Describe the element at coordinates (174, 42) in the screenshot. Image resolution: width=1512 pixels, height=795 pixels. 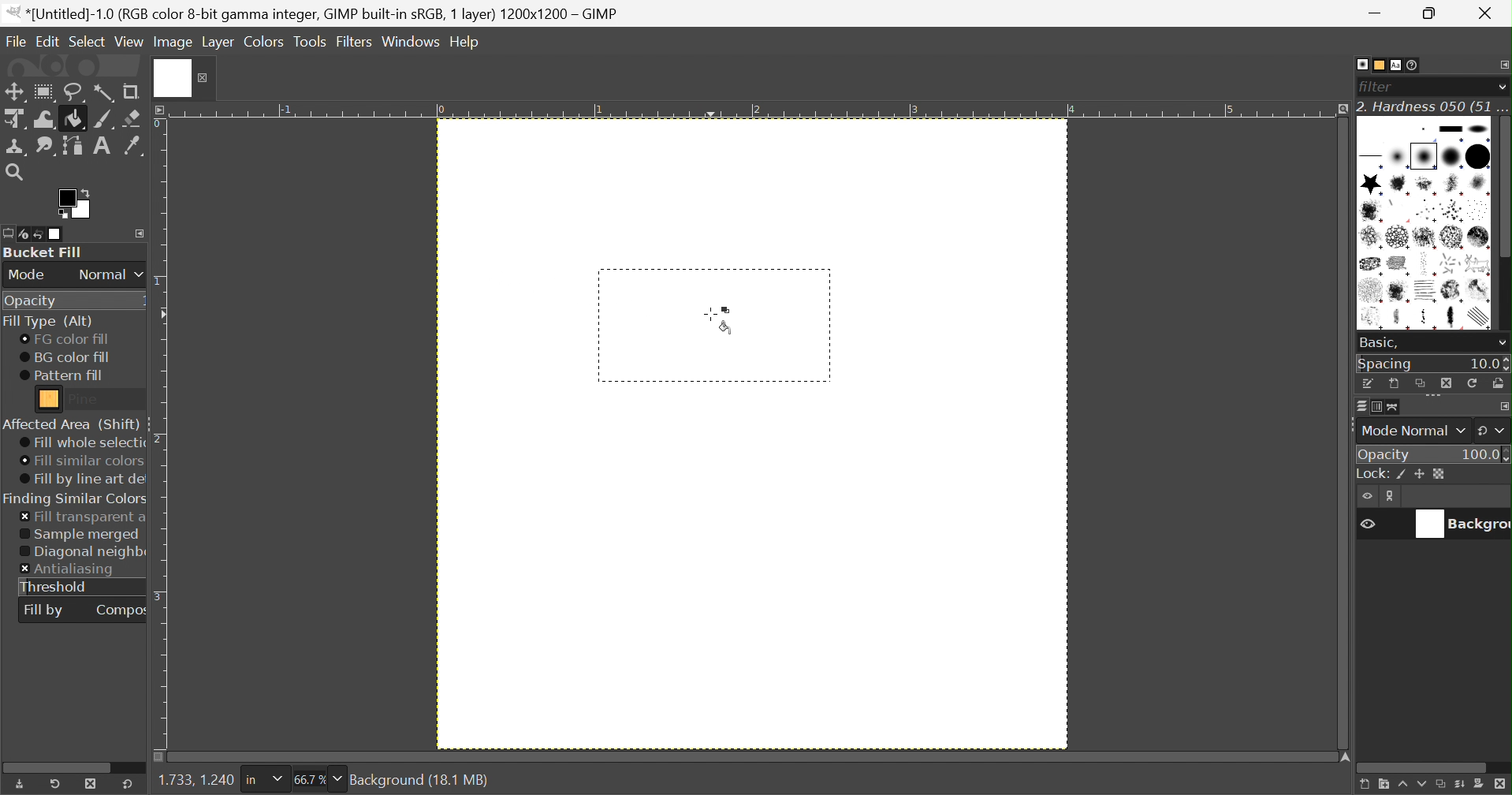
I see `Image` at that location.